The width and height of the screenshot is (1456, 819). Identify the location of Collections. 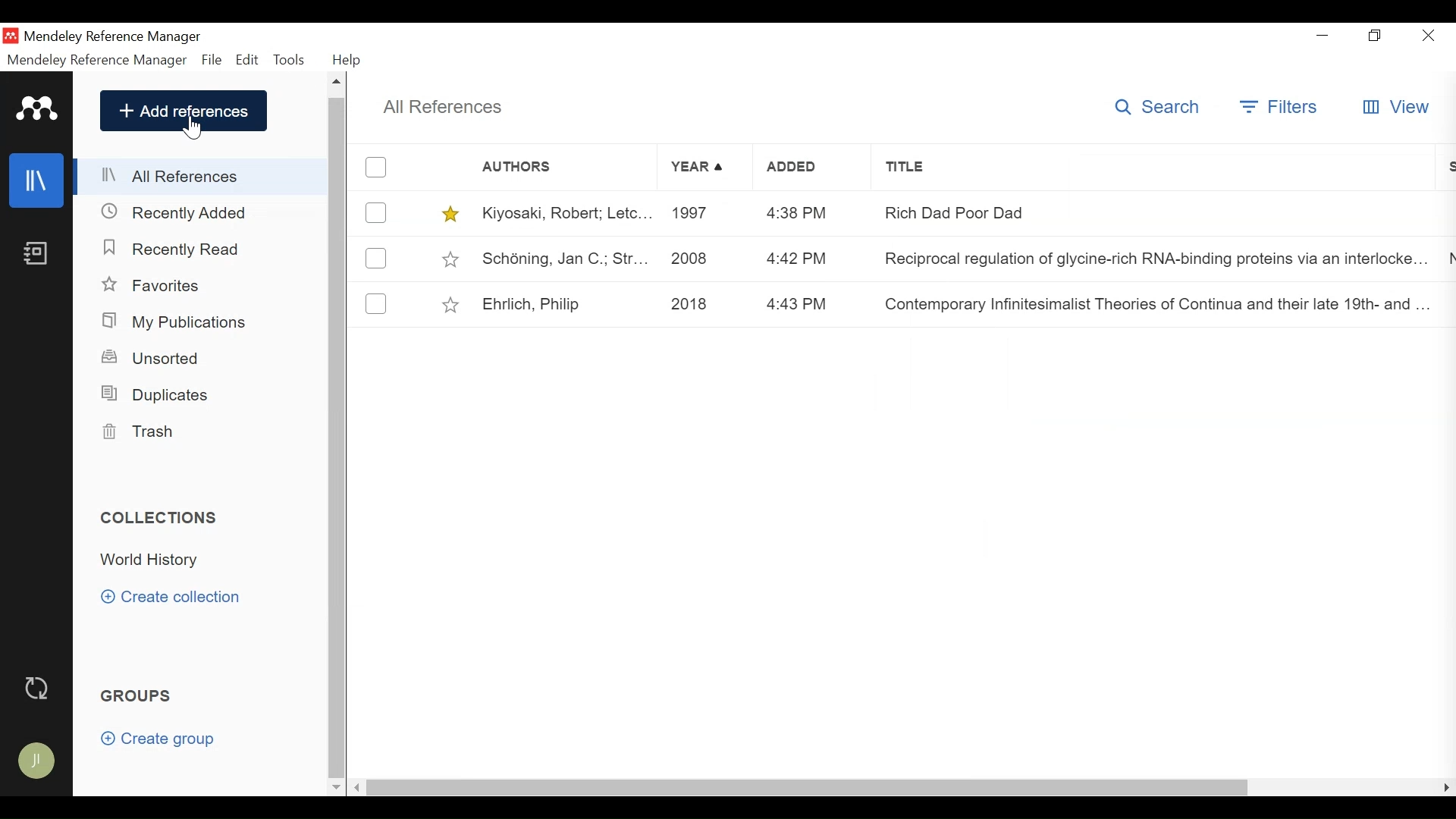
(161, 518).